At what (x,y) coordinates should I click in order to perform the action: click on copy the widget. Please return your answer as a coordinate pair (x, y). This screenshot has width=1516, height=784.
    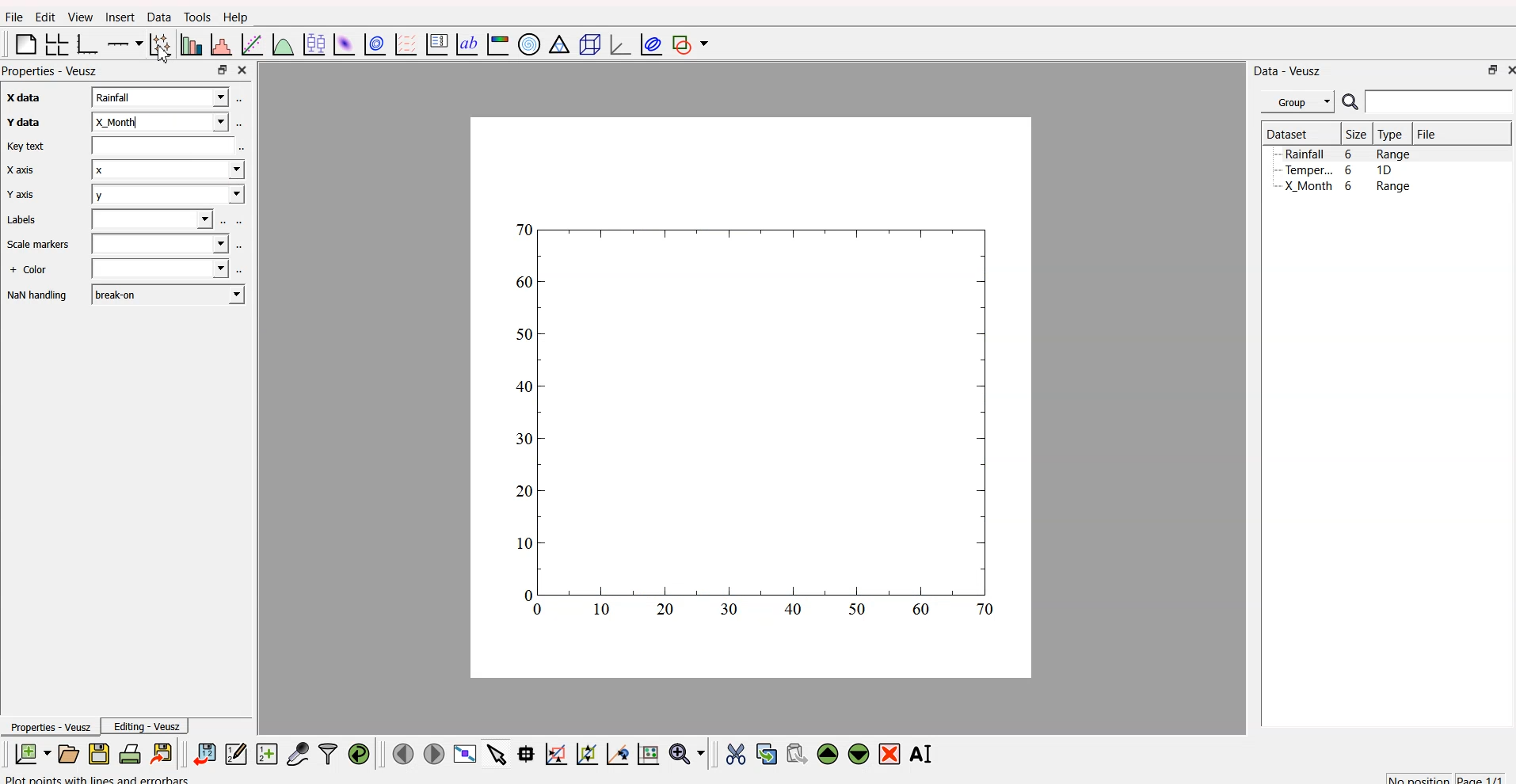
    Looking at the image, I should click on (766, 752).